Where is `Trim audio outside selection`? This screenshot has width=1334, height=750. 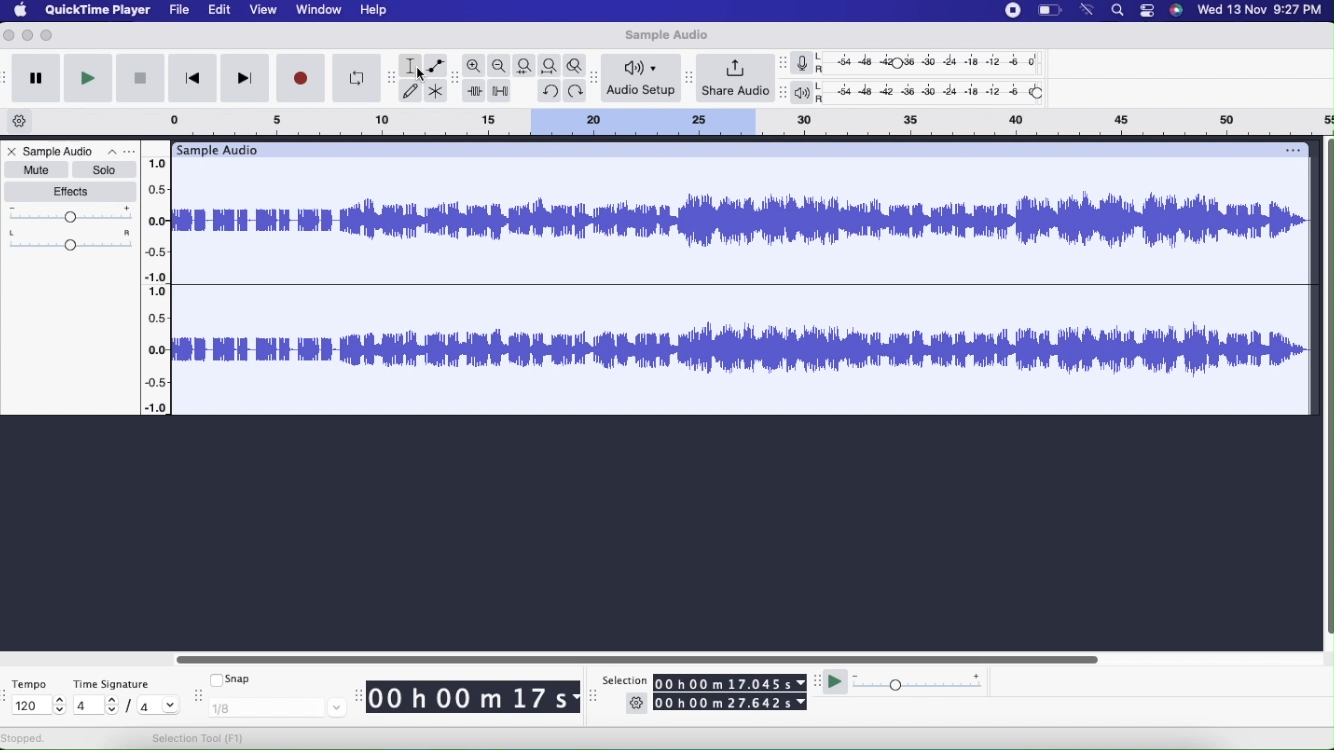
Trim audio outside selection is located at coordinates (474, 92).